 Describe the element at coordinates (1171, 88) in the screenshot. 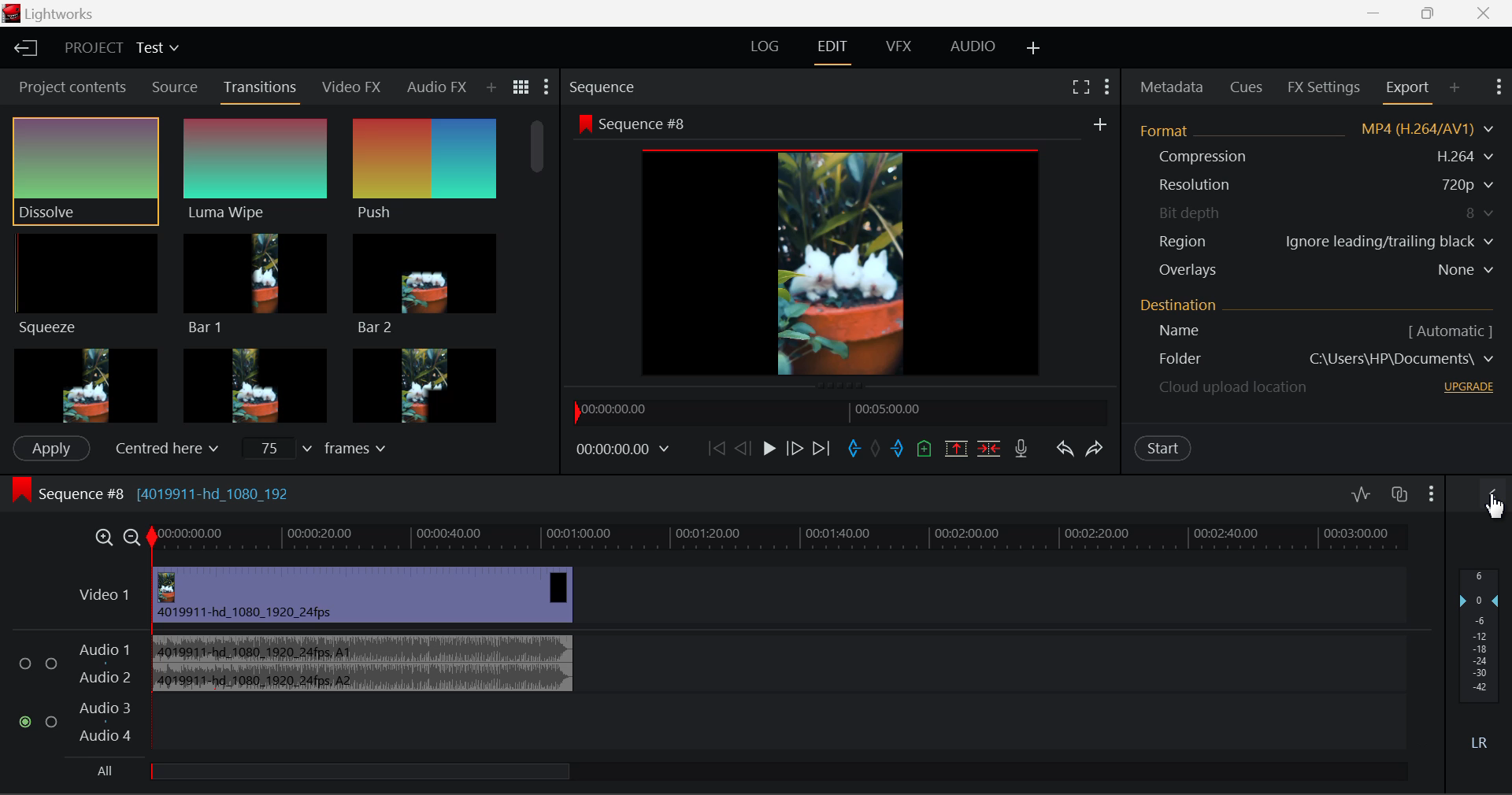

I see `Metadata` at that location.